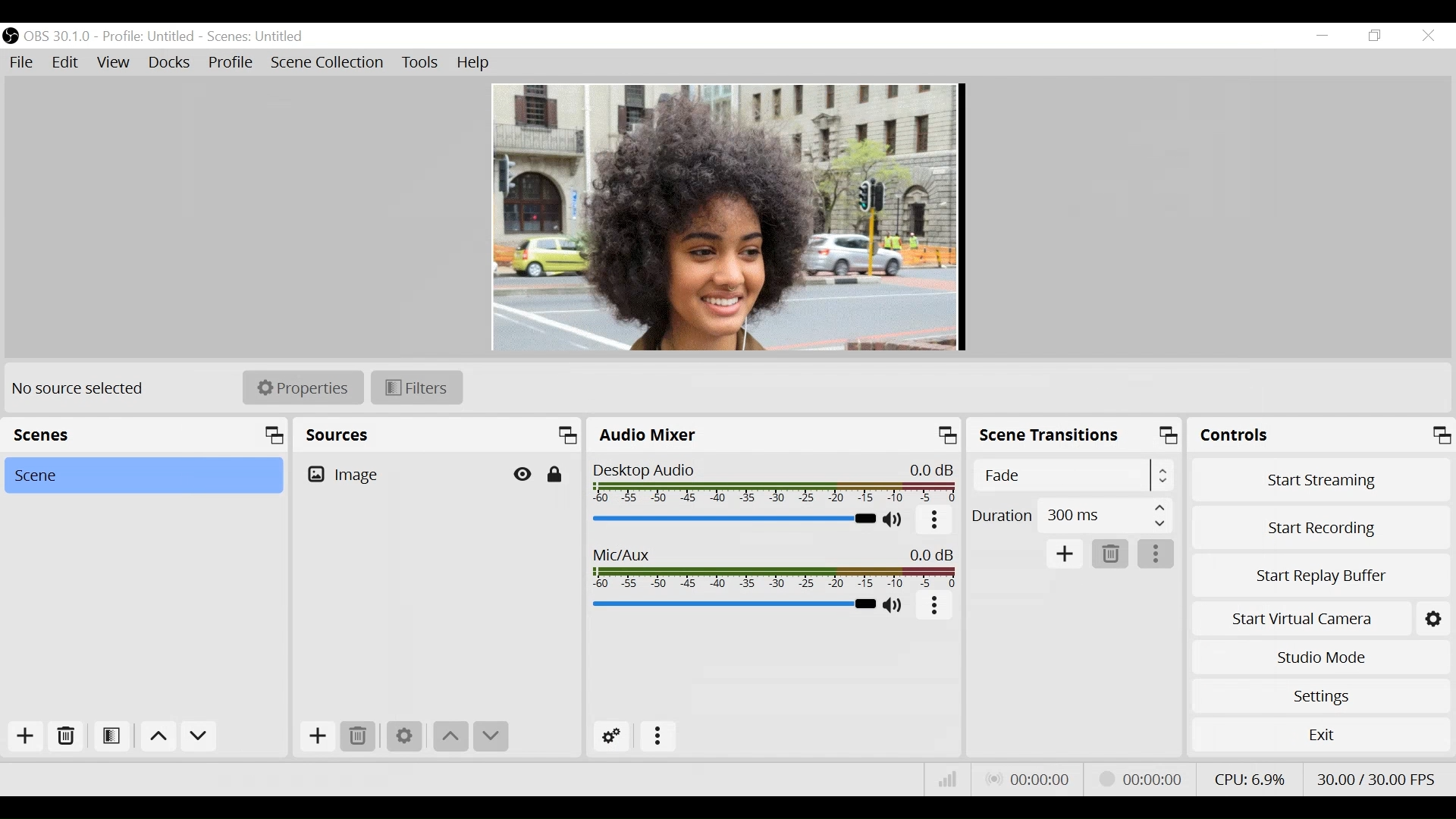 The image size is (1456, 819). Describe the element at coordinates (435, 435) in the screenshot. I see `Sources Panel` at that location.